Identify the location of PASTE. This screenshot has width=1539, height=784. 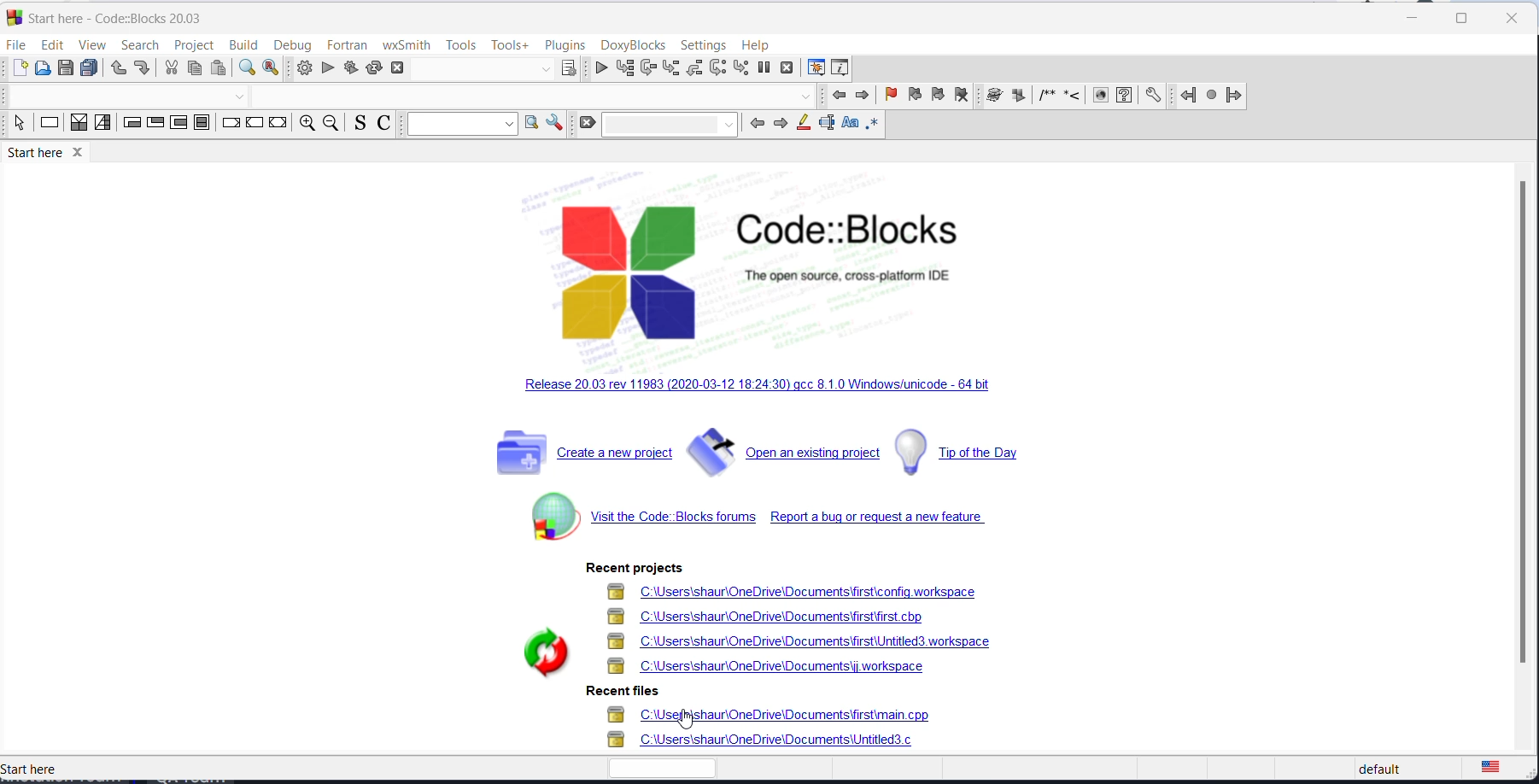
(217, 69).